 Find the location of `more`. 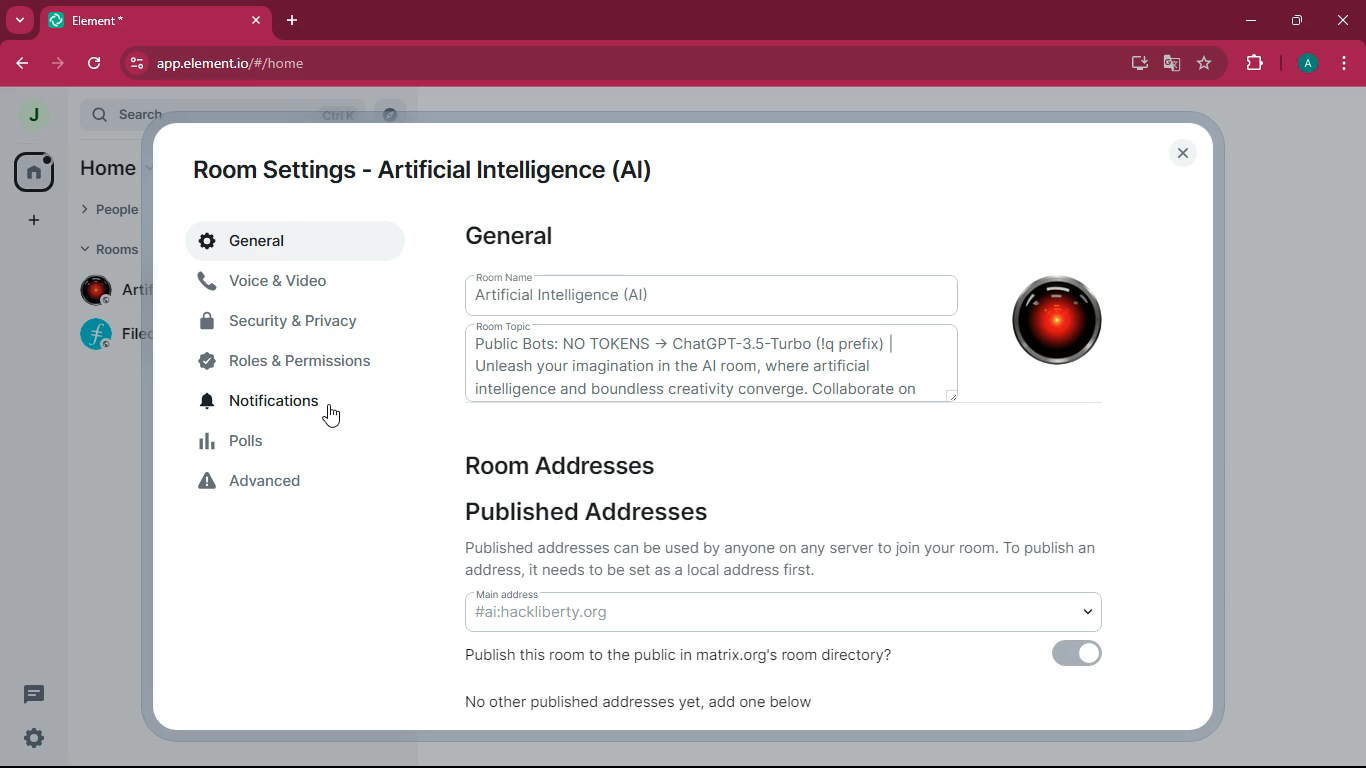

more is located at coordinates (21, 22).